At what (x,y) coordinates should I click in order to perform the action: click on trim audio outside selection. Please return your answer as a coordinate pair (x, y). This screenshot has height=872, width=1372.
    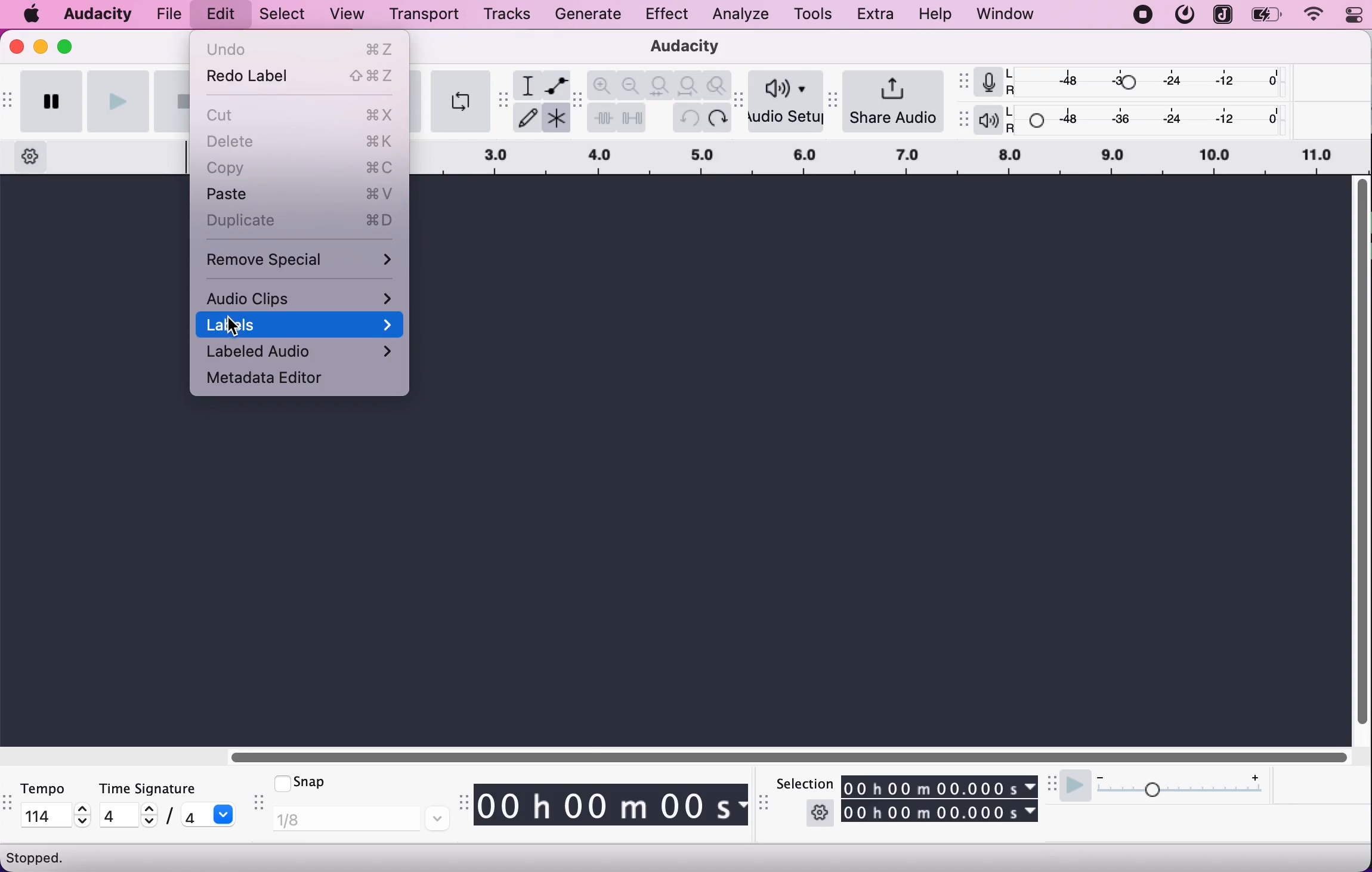
    Looking at the image, I should click on (602, 117).